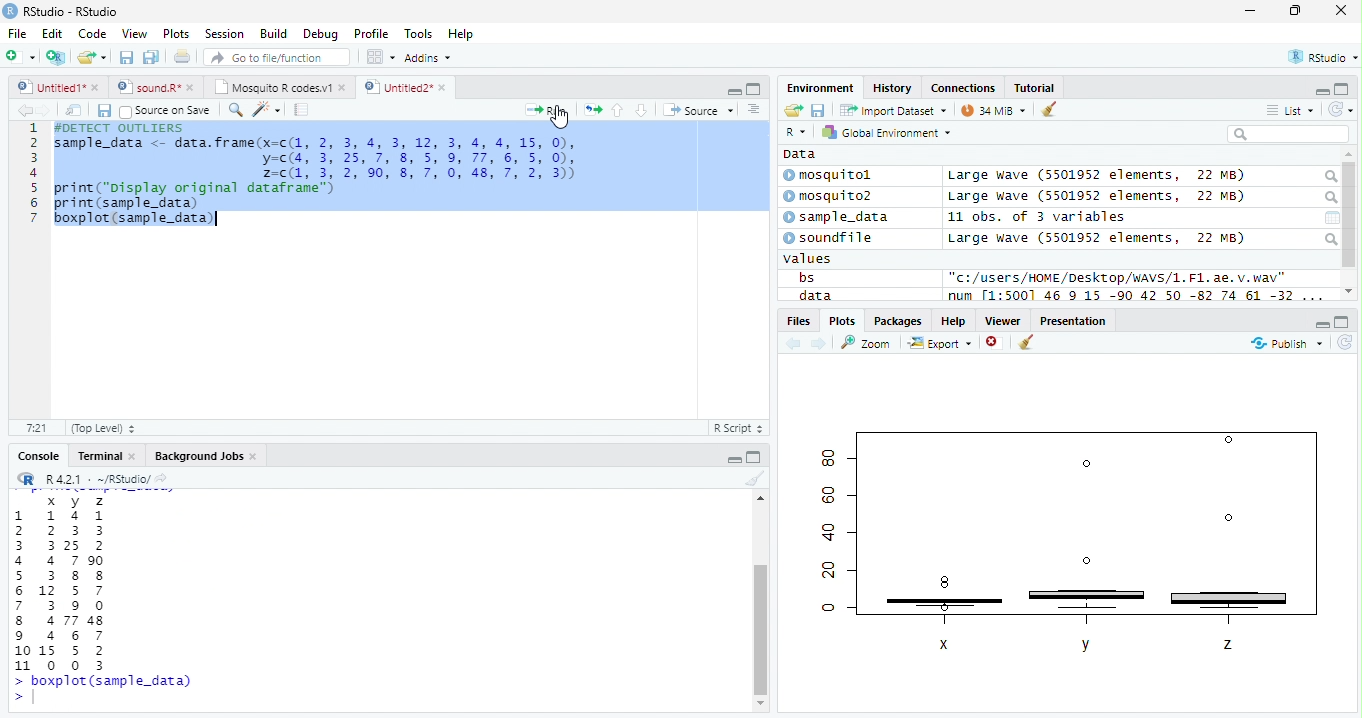 The image size is (1362, 718). I want to click on 11 obs. of 3 variables, so click(1037, 217).